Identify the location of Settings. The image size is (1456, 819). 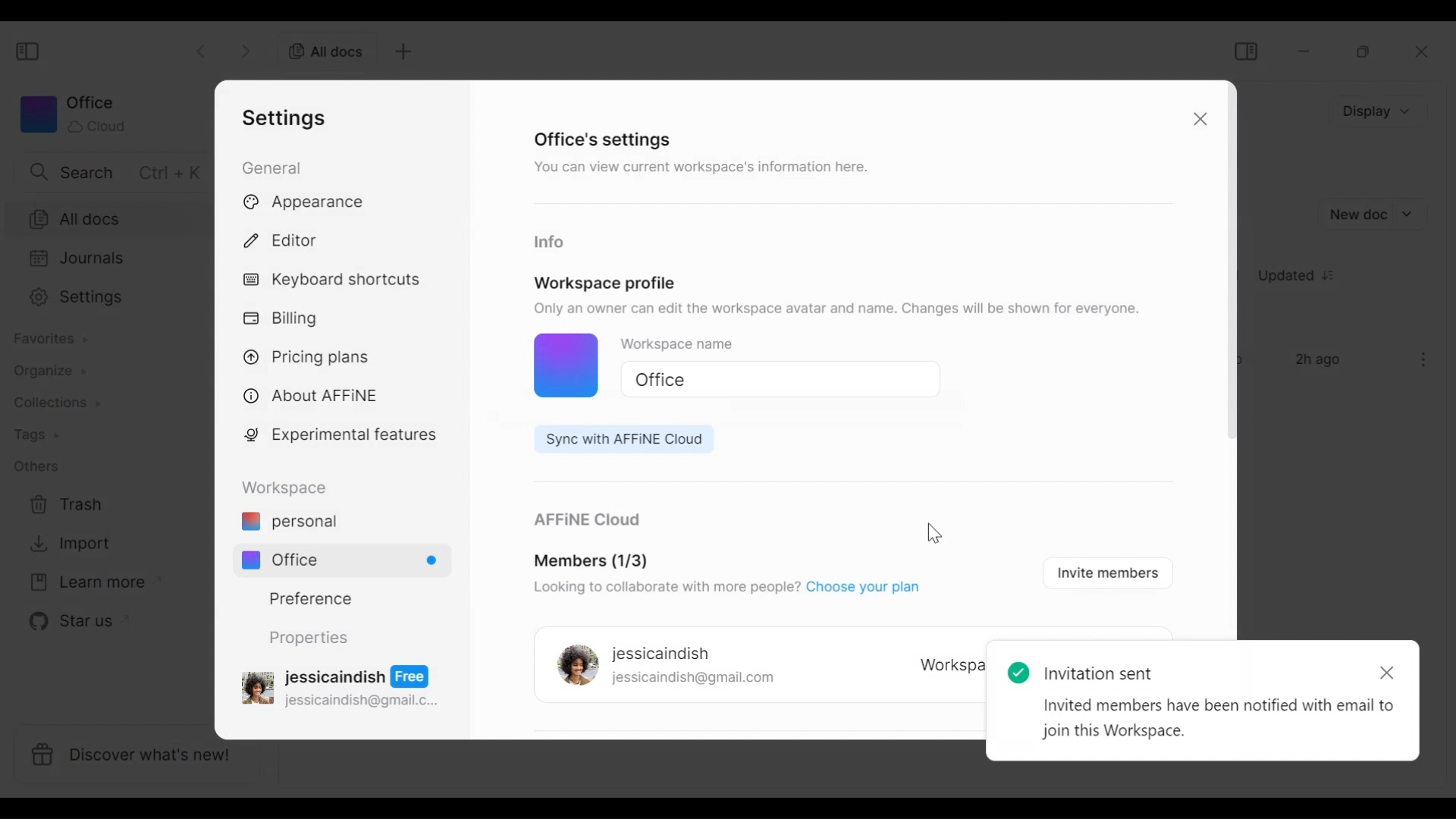
(289, 118).